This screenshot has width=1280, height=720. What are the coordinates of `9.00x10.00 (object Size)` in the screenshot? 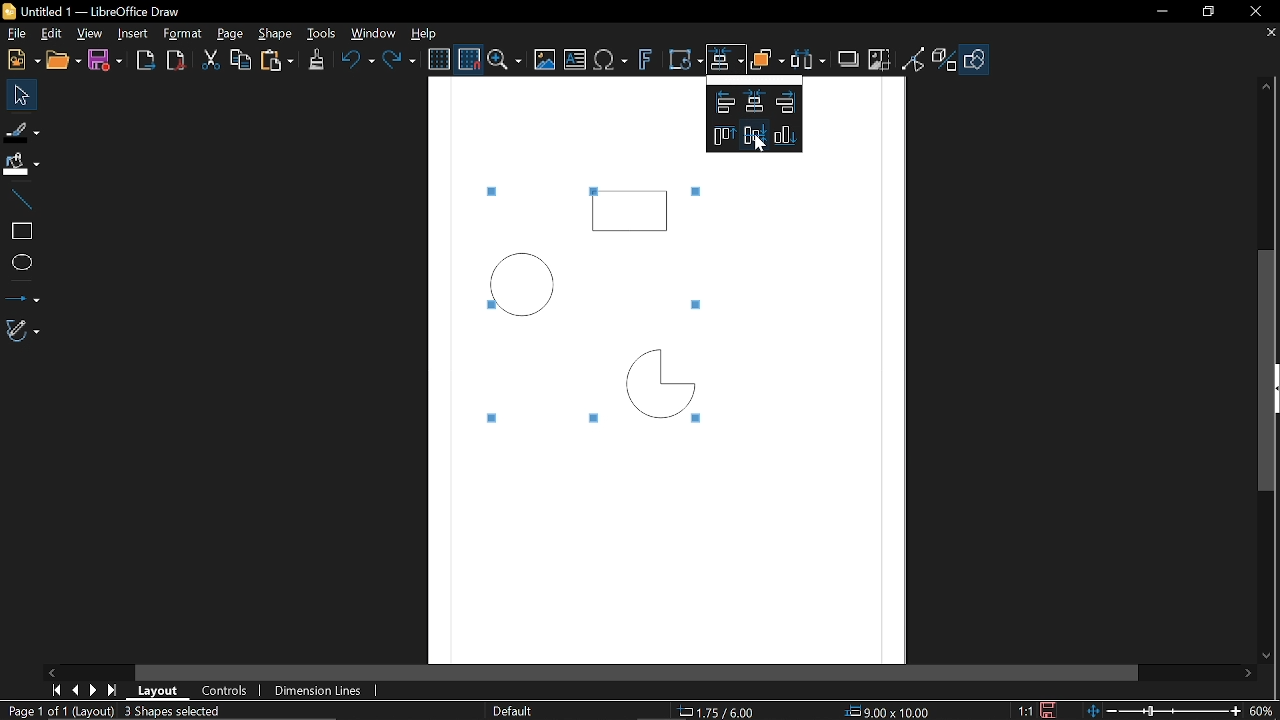 It's located at (890, 711).